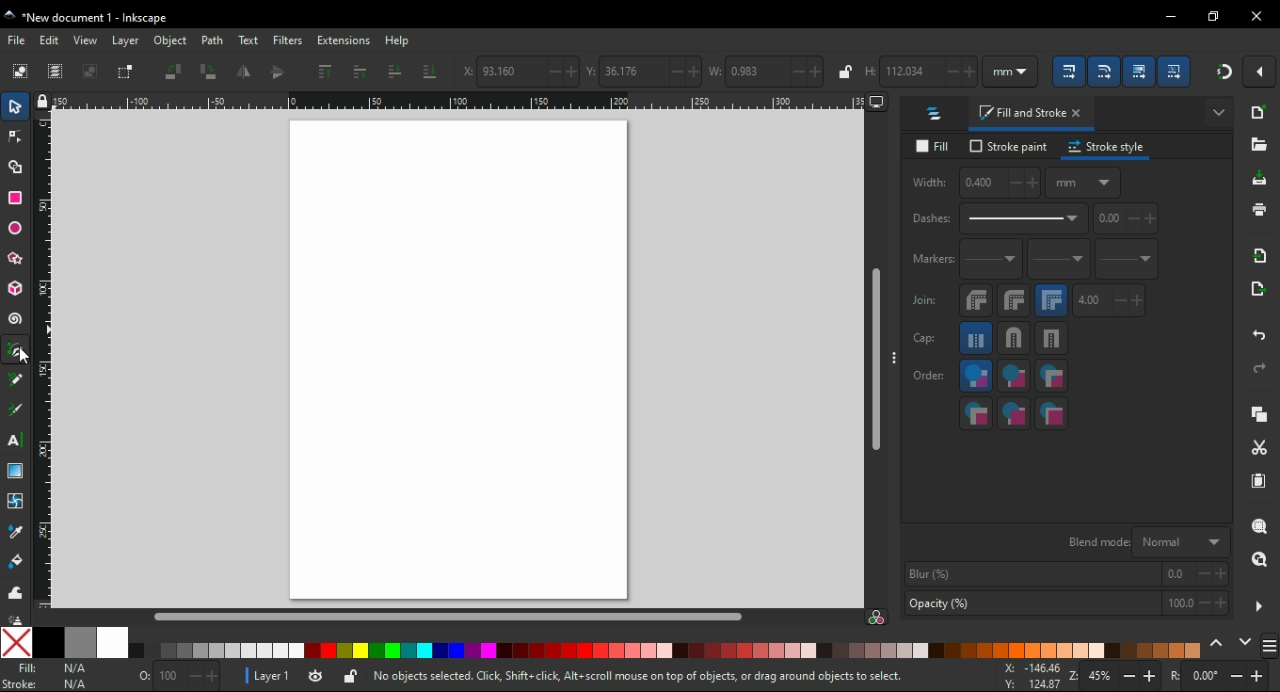 Image resolution: width=1280 pixels, height=692 pixels. Describe the element at coordinates (1145, 541) in the screenshot. I see `blend mode Normal` at that location.